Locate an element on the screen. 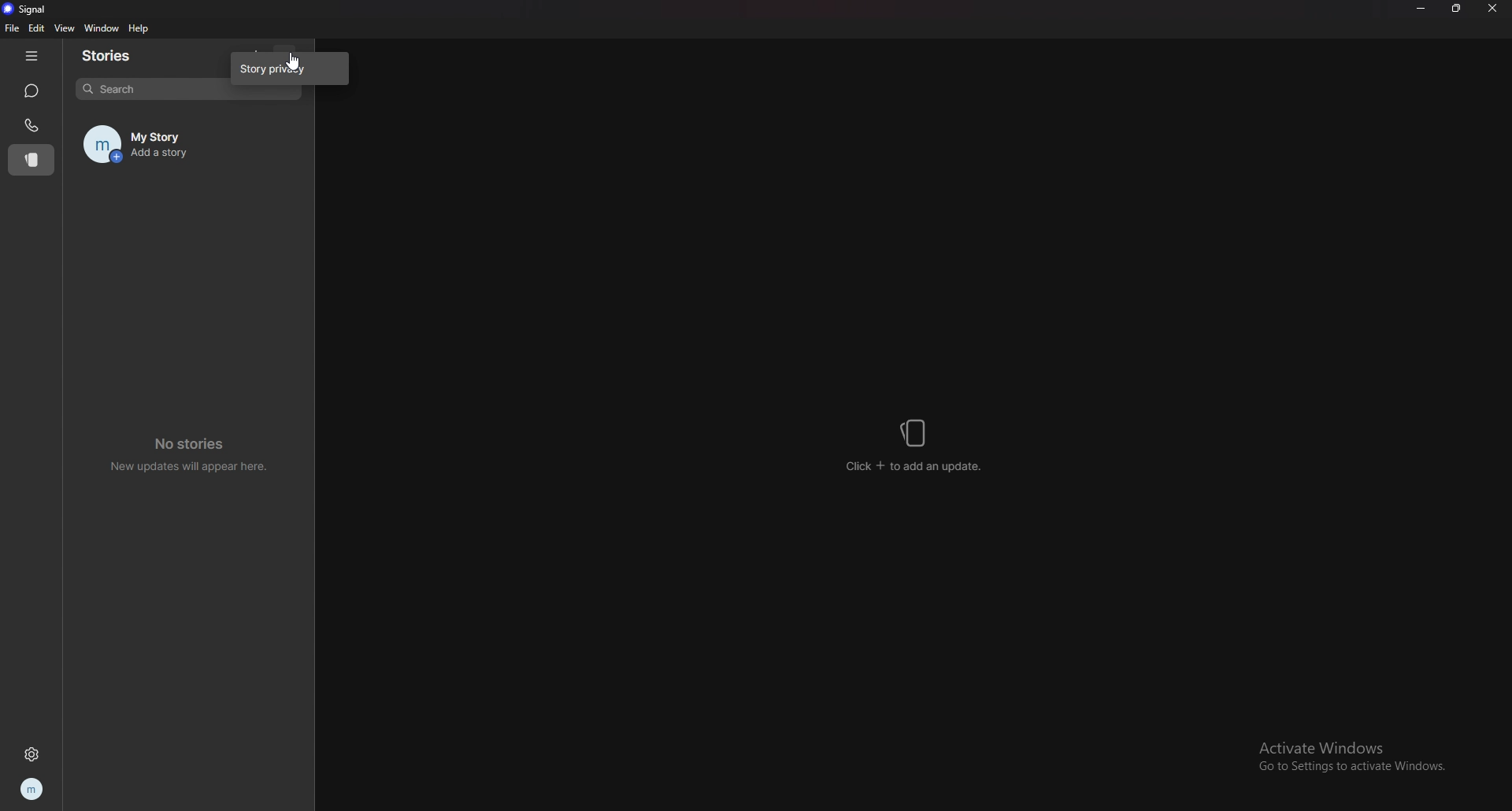 This screenshot has width=1512, height=811. help is located at coordinates (139, 28).